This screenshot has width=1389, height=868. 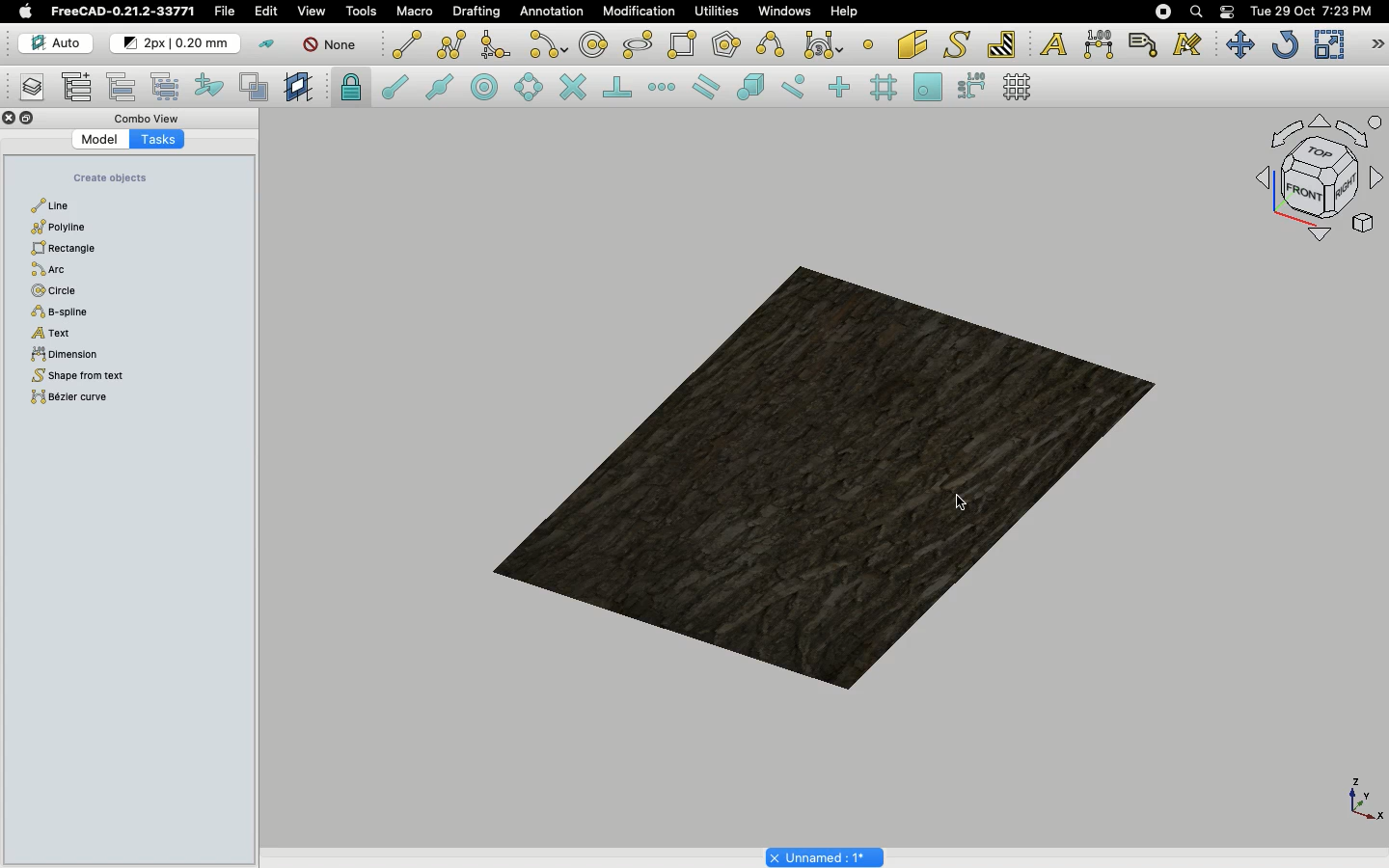 I want to click on Label, so click(x=1144, y=42).